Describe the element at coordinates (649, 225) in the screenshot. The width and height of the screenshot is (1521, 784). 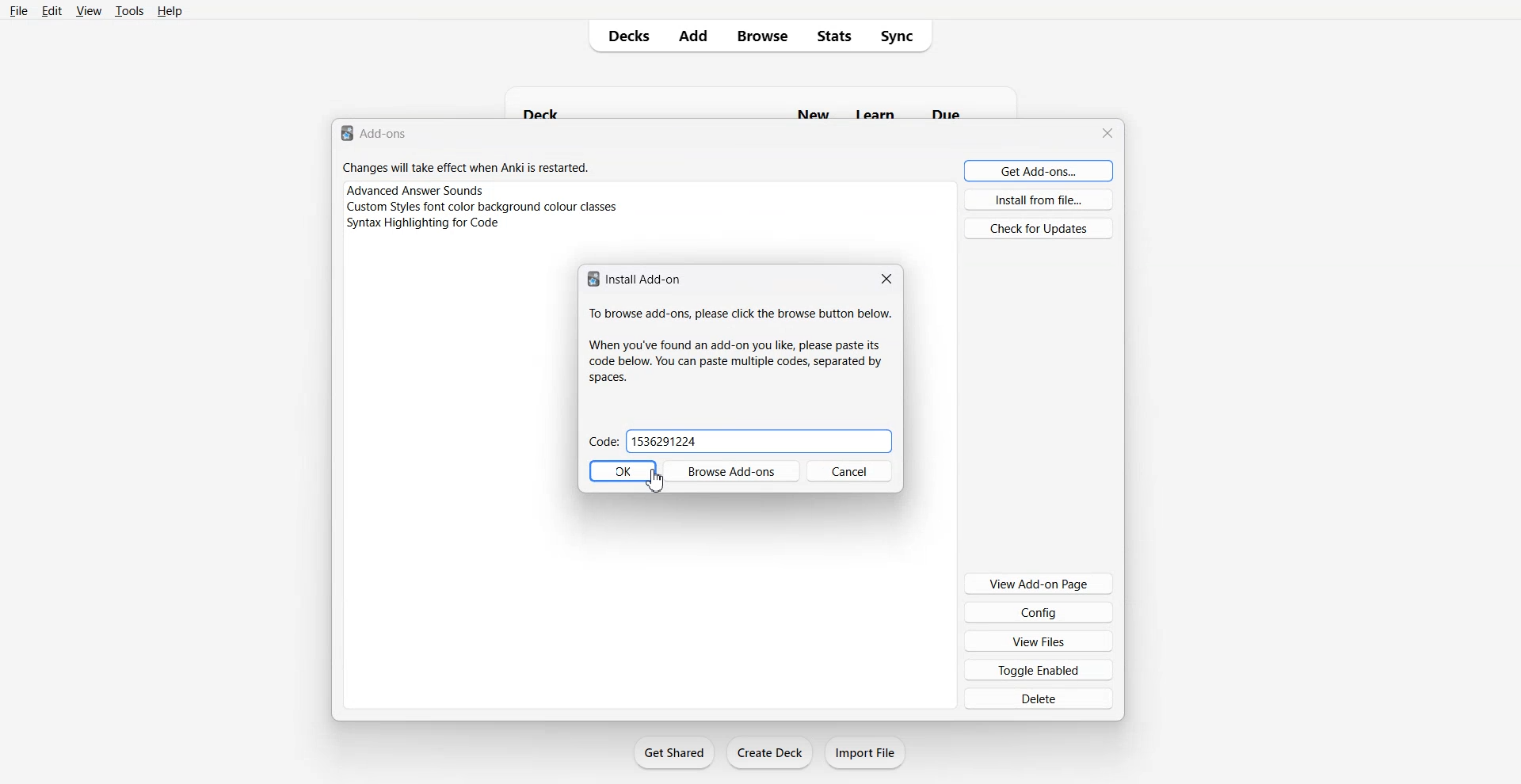
I see `Plugins` at that location.